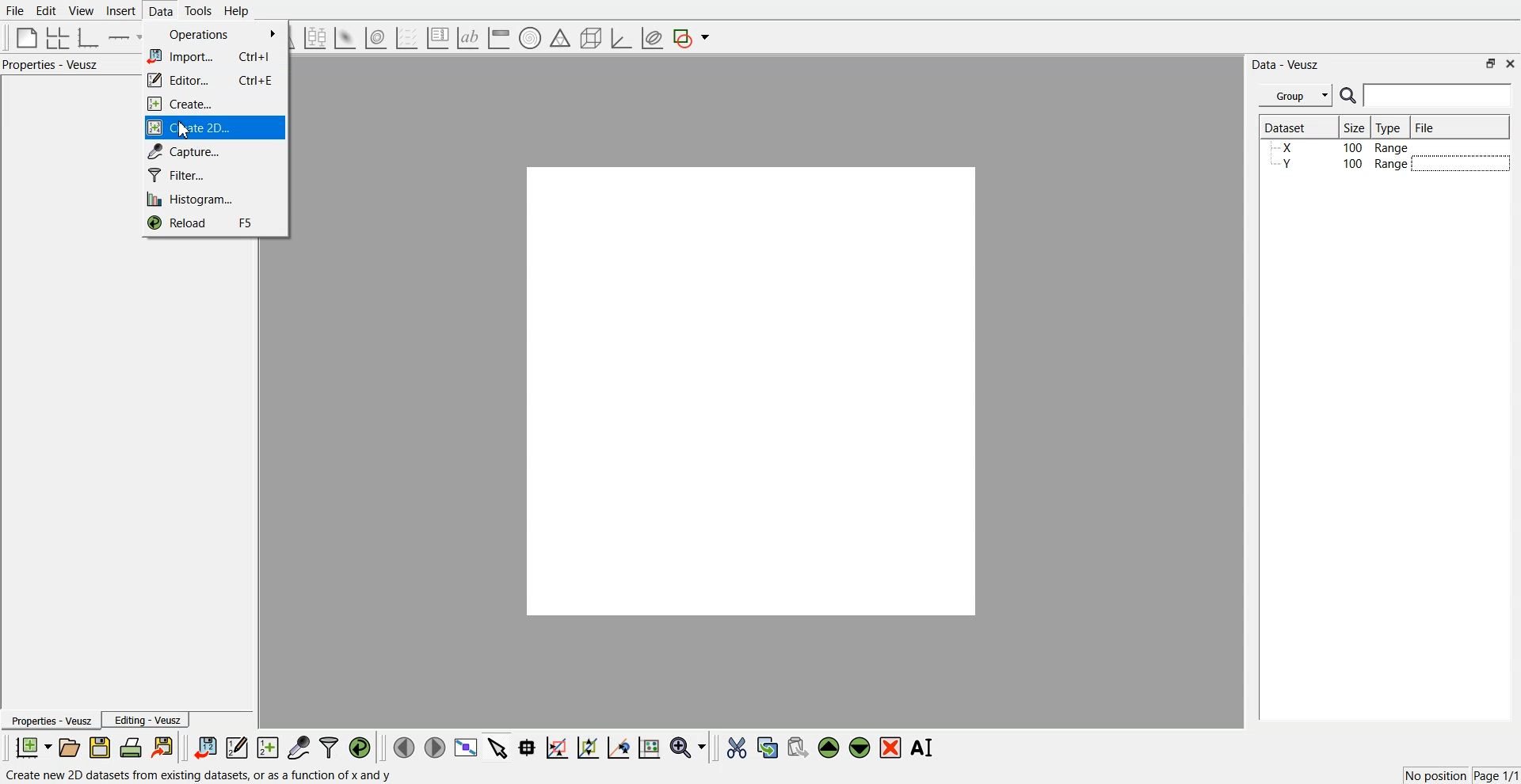  Describe the element at coordinates (215, 127) in the screenshot. I see `Create 2D` at that location.